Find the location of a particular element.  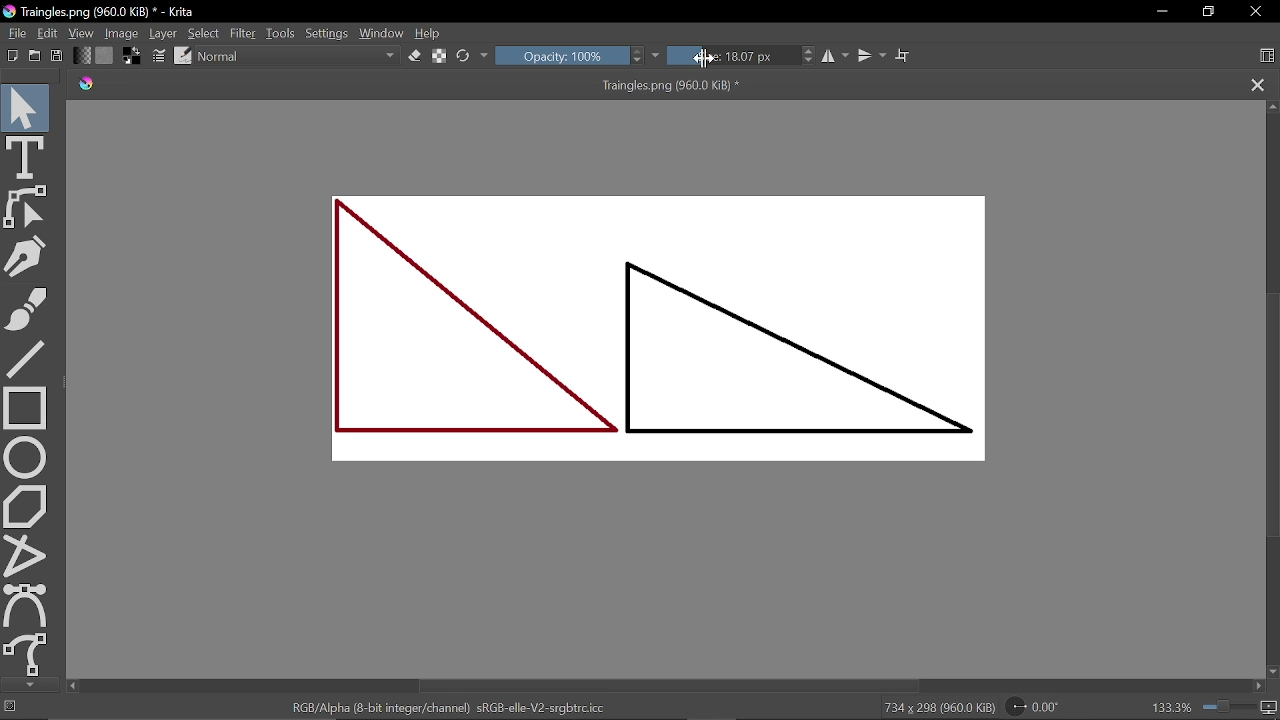

Move left is located at coordinates (74, 685).